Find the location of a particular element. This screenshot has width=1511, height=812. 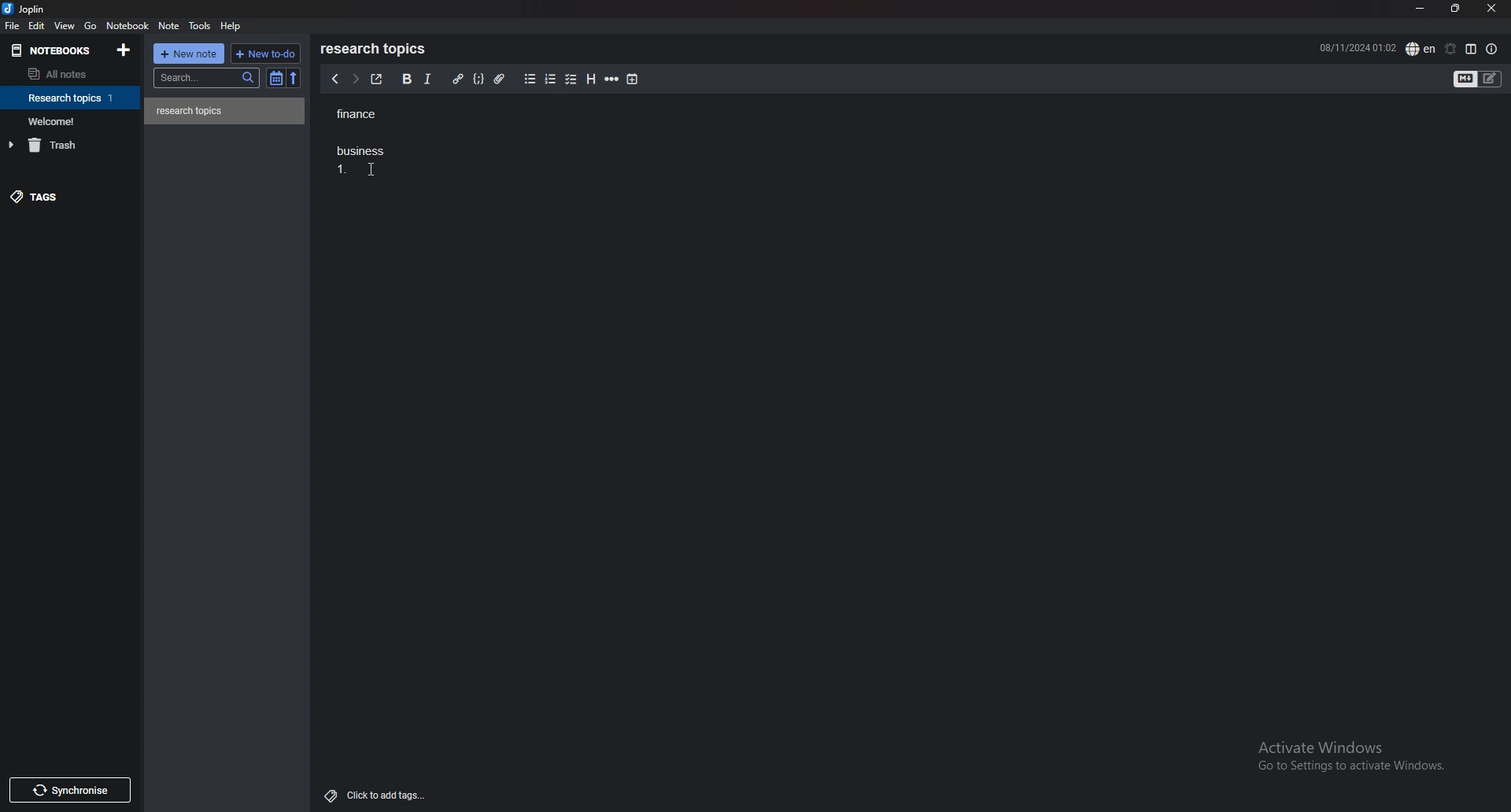

heading is located at coordinates (590, 79).